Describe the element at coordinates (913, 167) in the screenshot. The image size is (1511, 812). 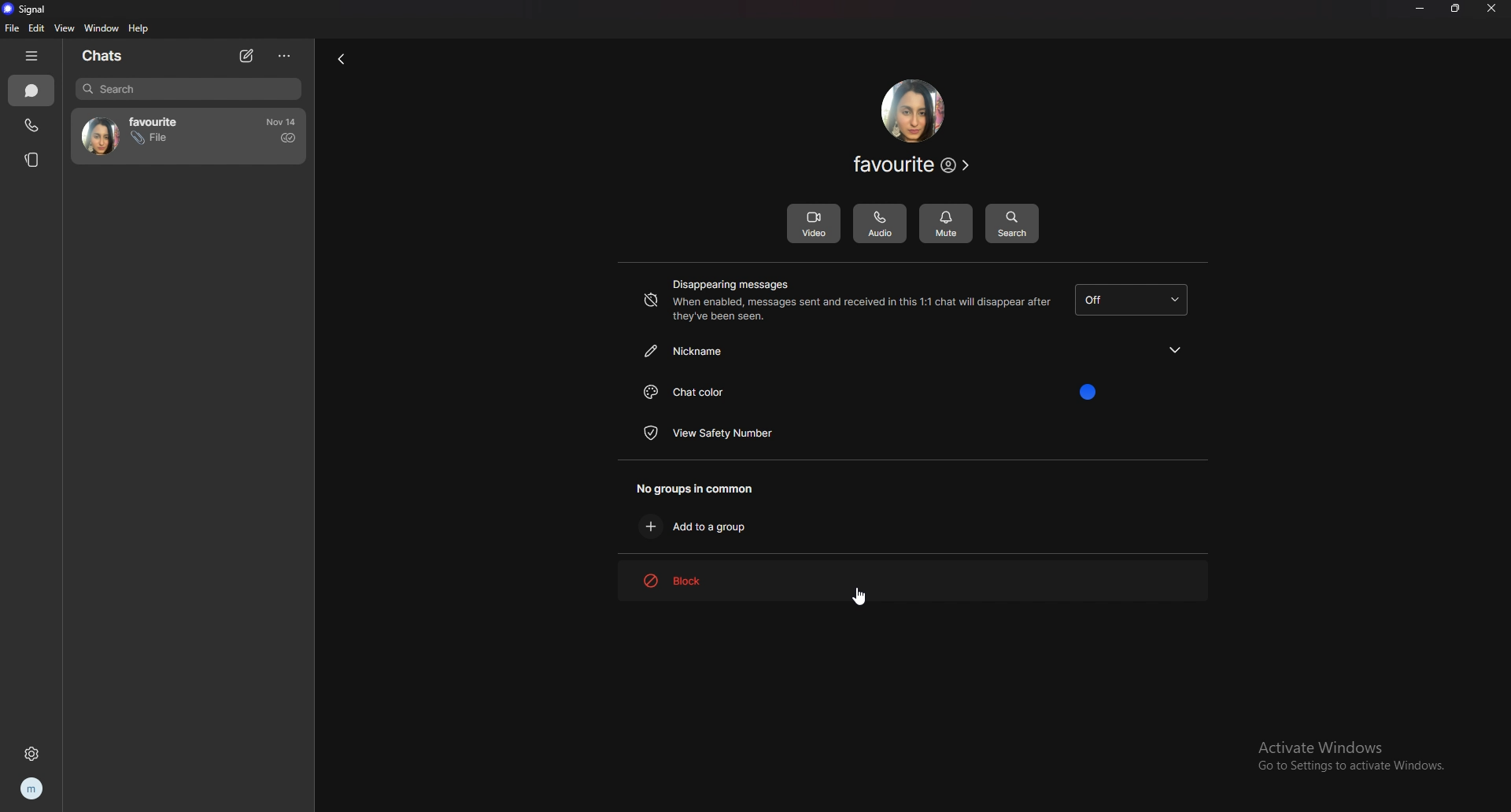
I see `nickname` at that location.